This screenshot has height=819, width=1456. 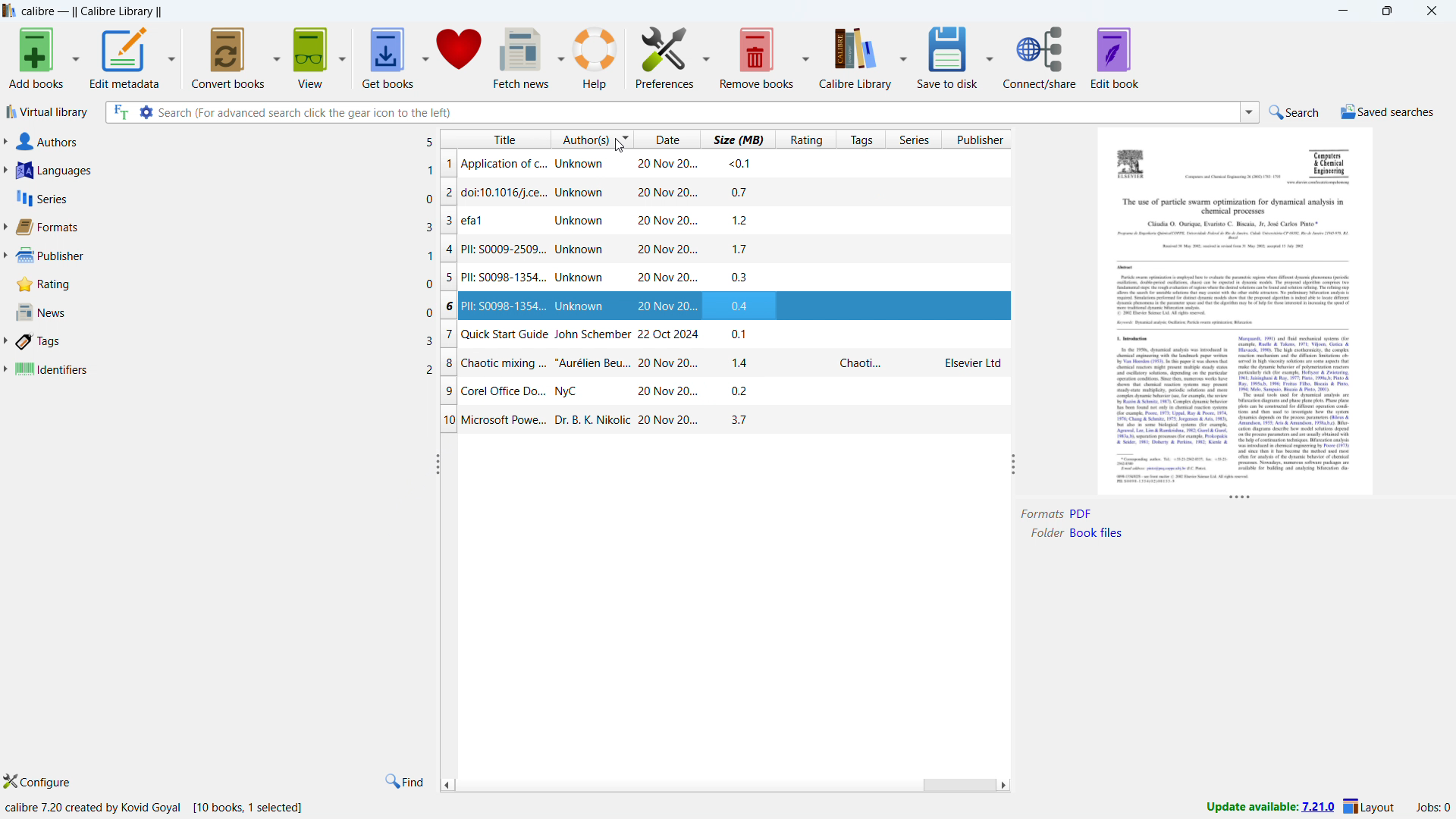 What do you see at coordinates (1389, 11) in the screenshot?
I see `maximize` at bounding box center [1389, 11].